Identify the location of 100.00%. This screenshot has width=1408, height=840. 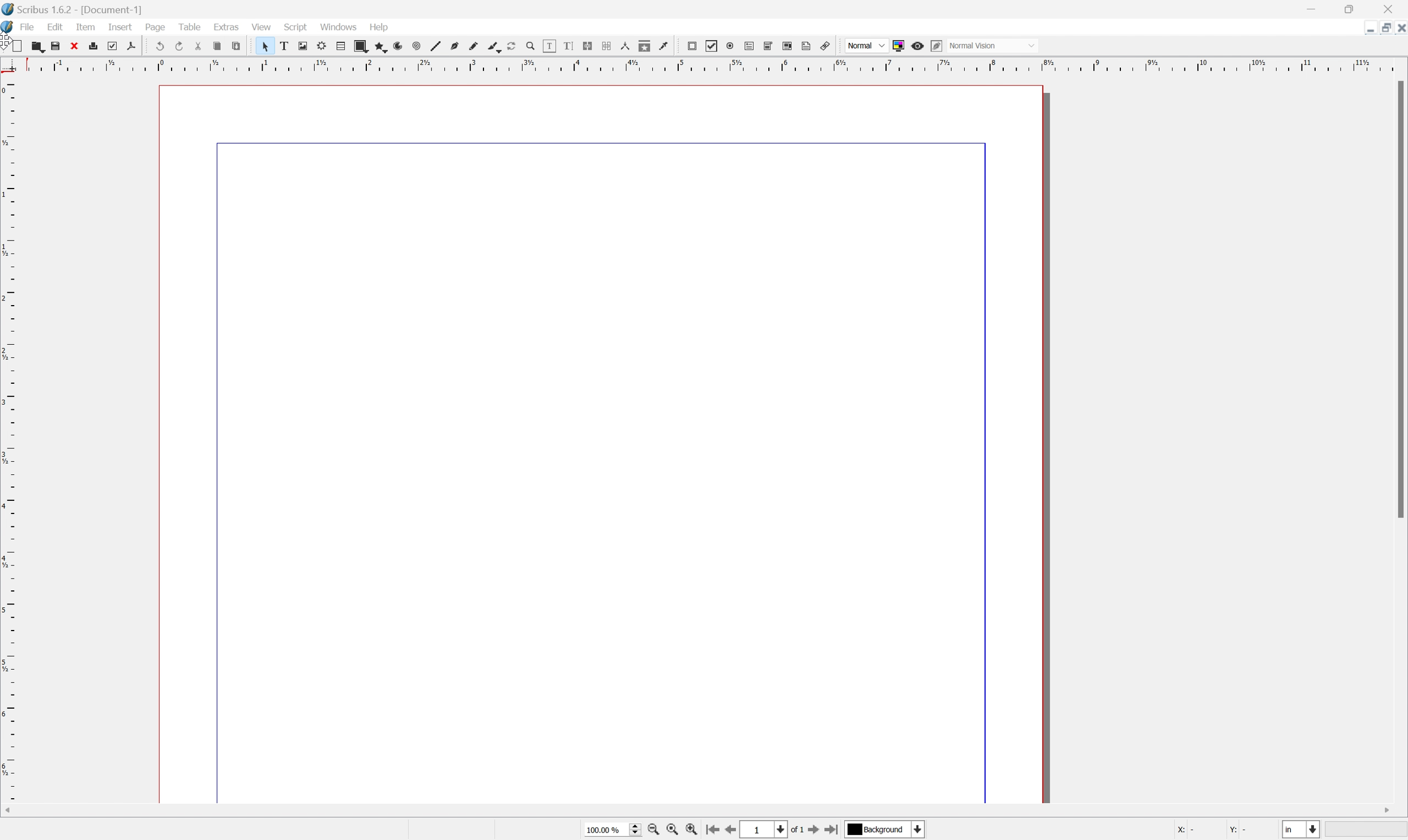
(611, 829).